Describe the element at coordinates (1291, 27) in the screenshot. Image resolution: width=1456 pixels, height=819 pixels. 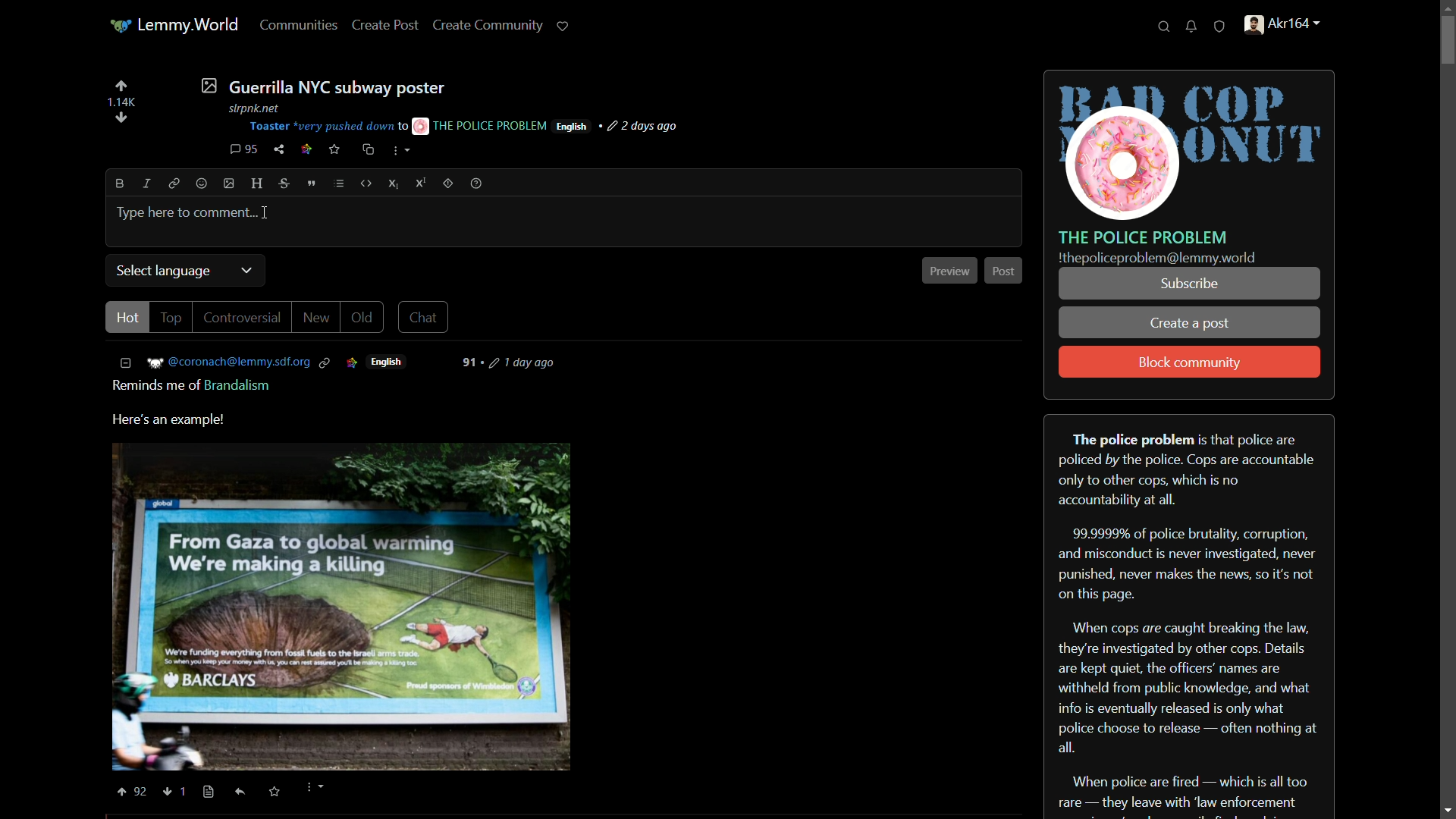
I see `handle` at that location.